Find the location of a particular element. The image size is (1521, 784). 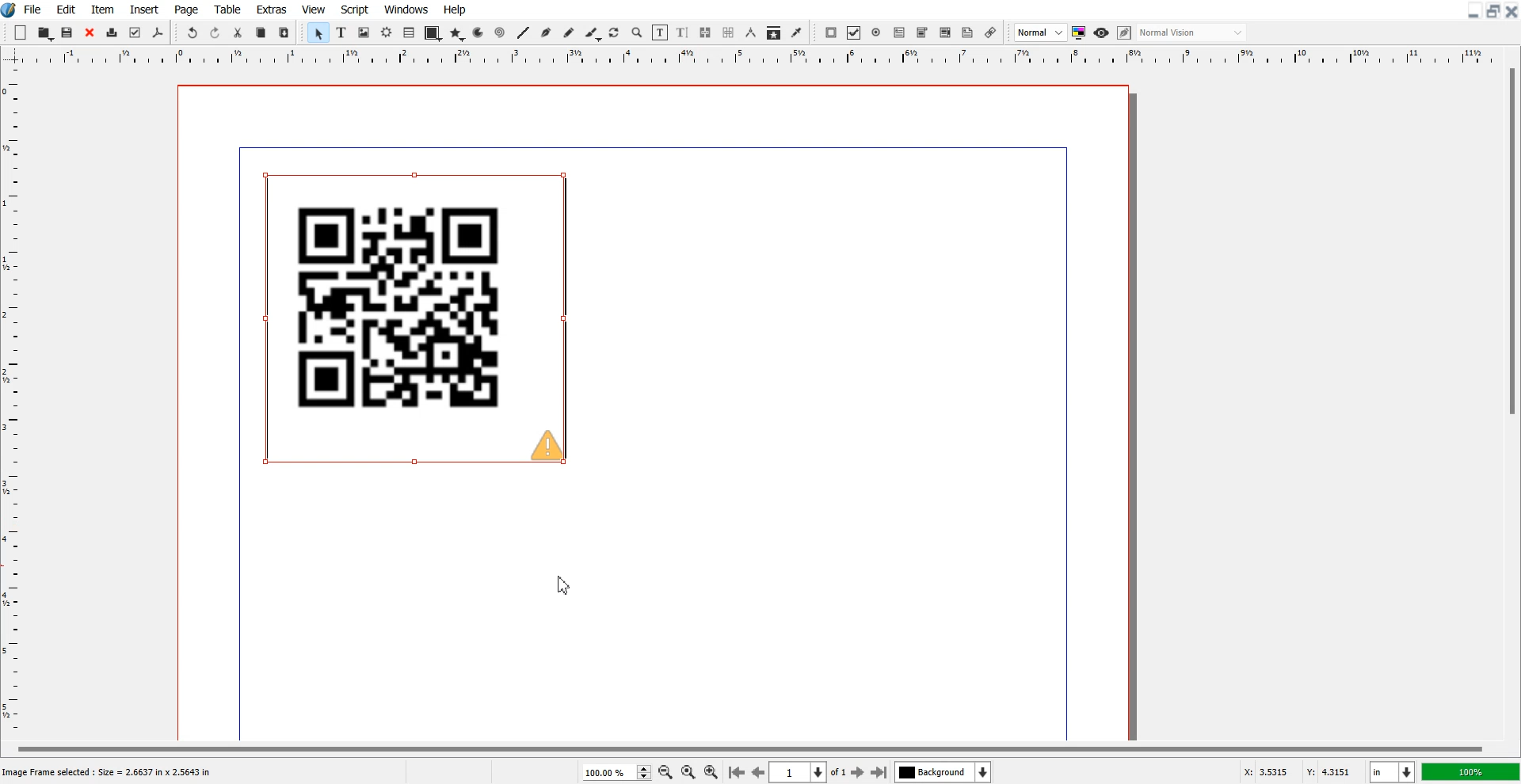

Zoom Out is located at coordinates (665, 771).